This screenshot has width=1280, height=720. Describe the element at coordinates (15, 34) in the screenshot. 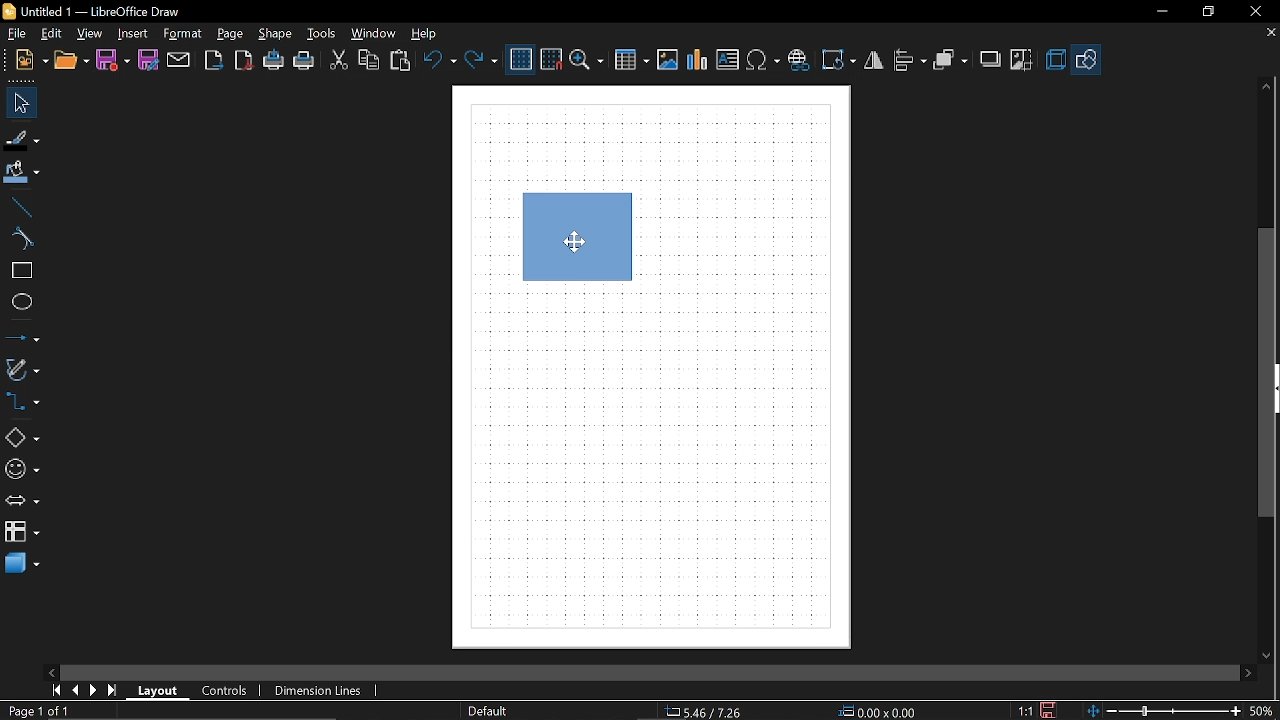

I see `File` at that location.